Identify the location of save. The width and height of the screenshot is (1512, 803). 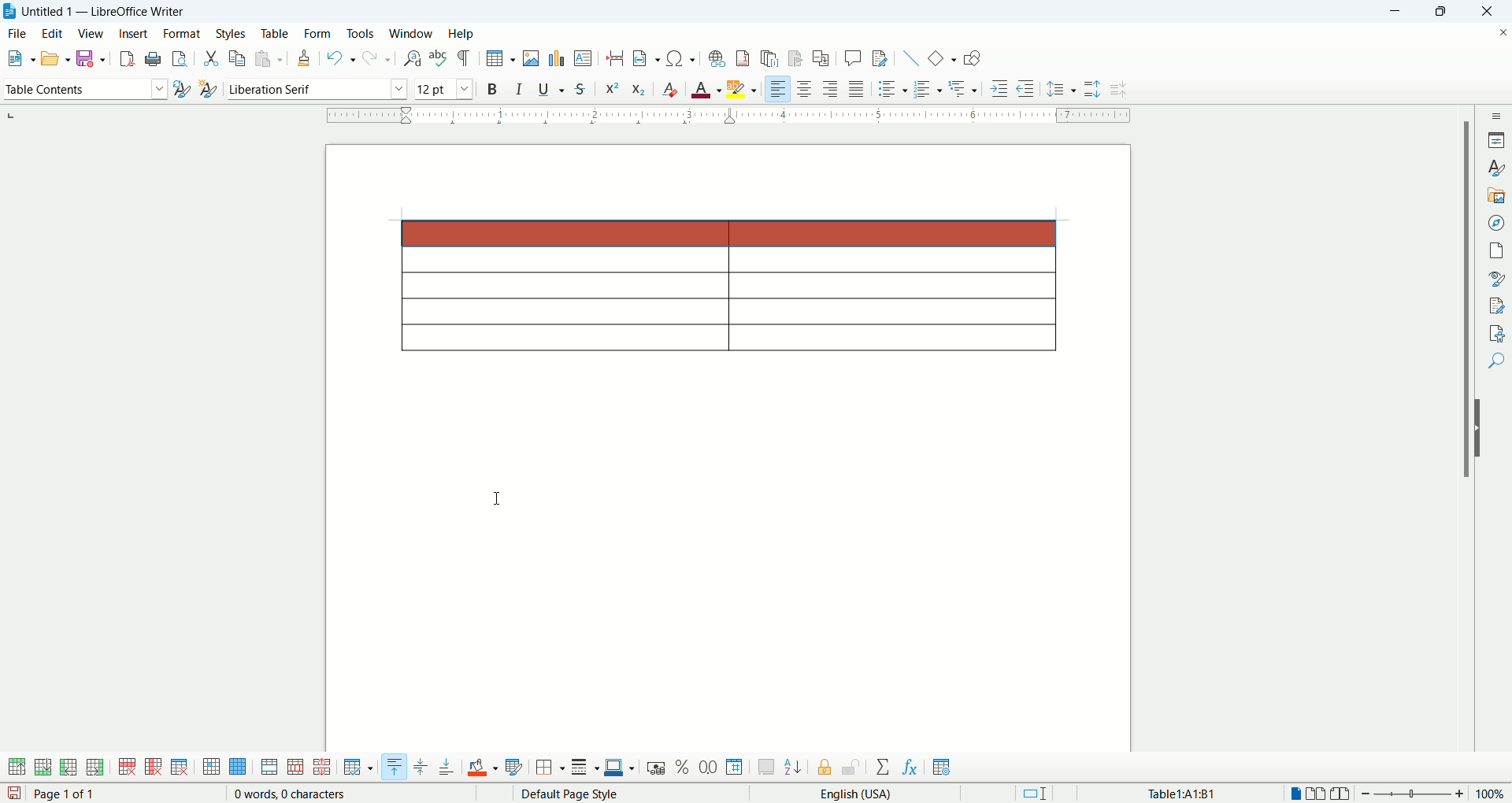
(14, 794).